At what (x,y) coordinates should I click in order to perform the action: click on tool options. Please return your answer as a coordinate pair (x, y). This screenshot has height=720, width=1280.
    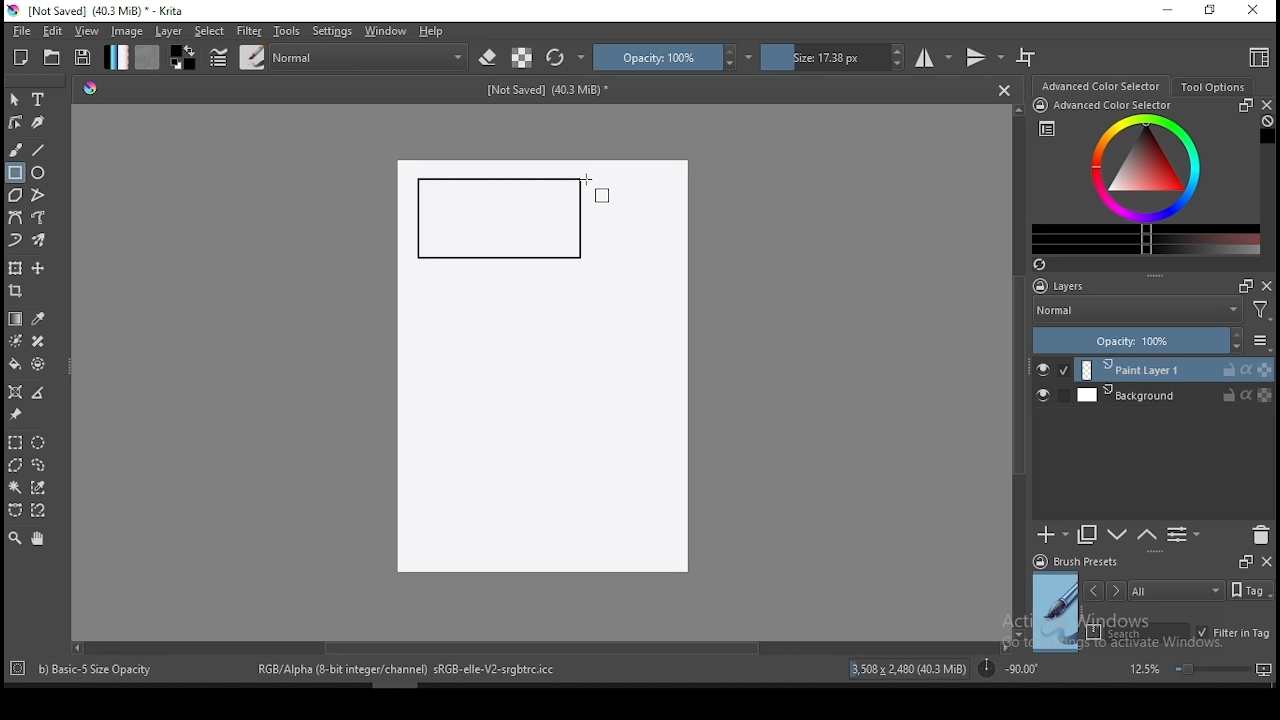
    Looking at the image, I should click on (1214, 87).